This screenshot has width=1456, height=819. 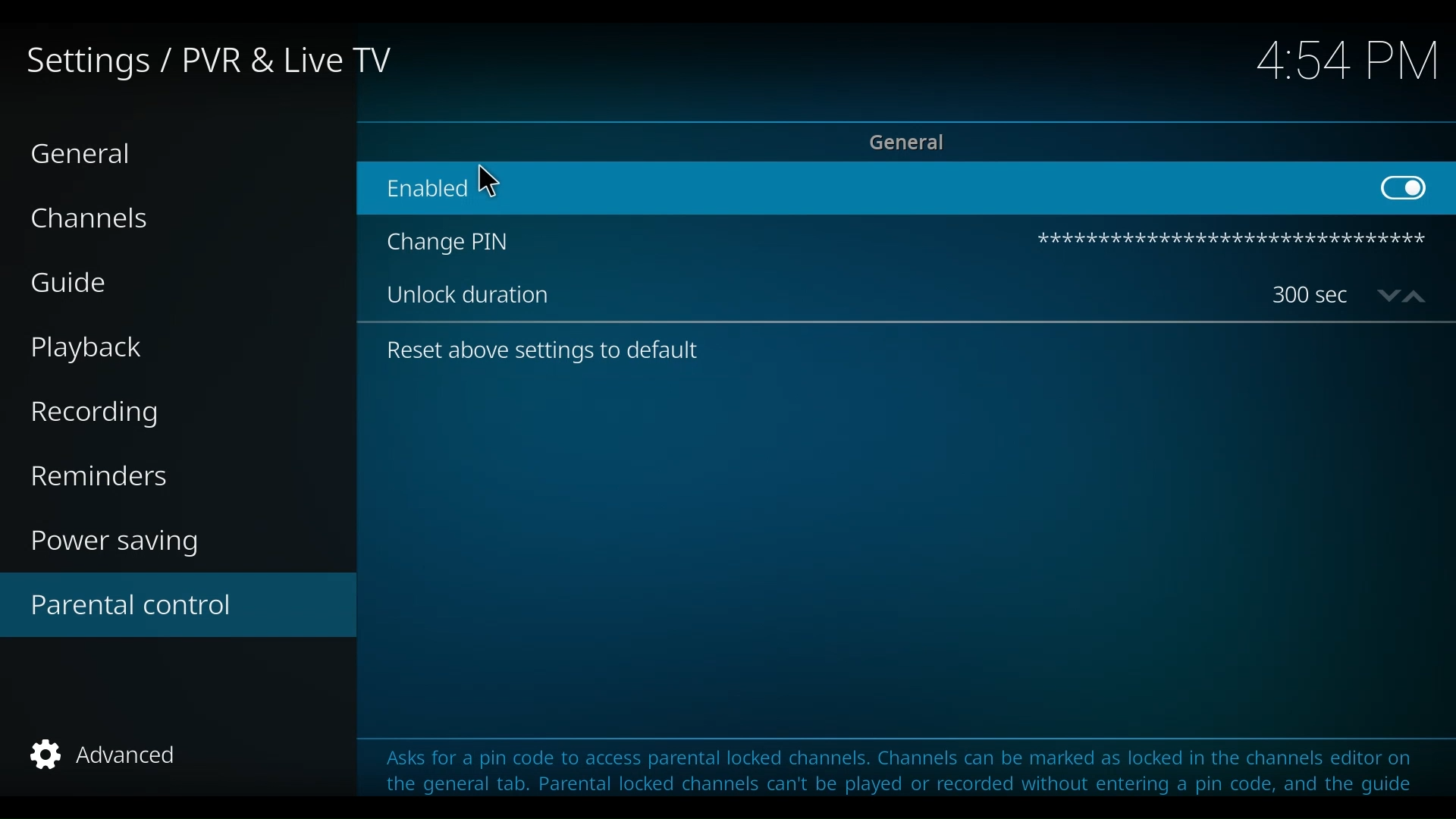 What do you see at coordinates (1416, 297) in the screenshot?
I see `up` at bounding box center [1416, 297].